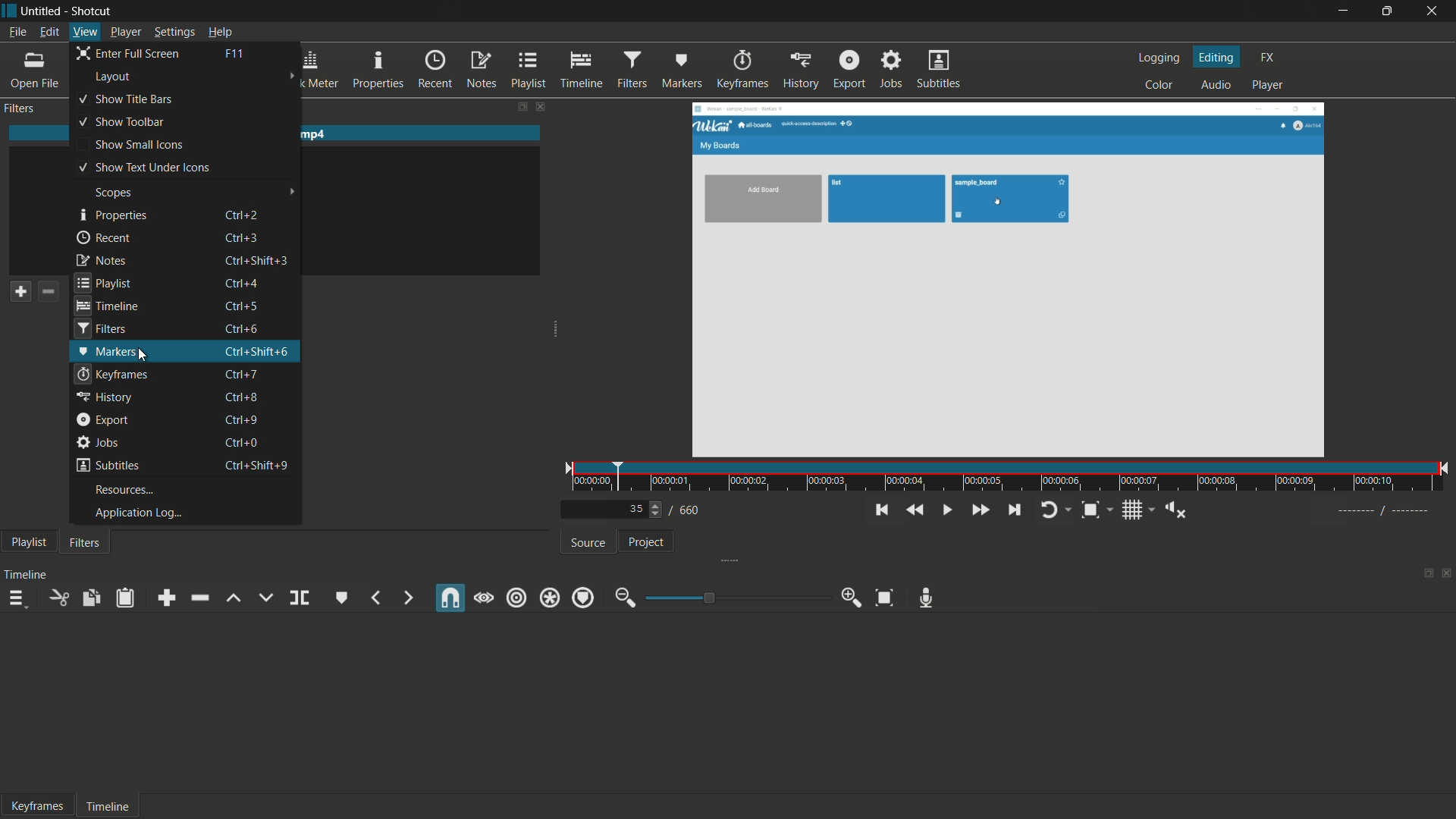 The width and height of the screenshot is (1456, 819). I want to click on close timeline, so click(1447, 573).